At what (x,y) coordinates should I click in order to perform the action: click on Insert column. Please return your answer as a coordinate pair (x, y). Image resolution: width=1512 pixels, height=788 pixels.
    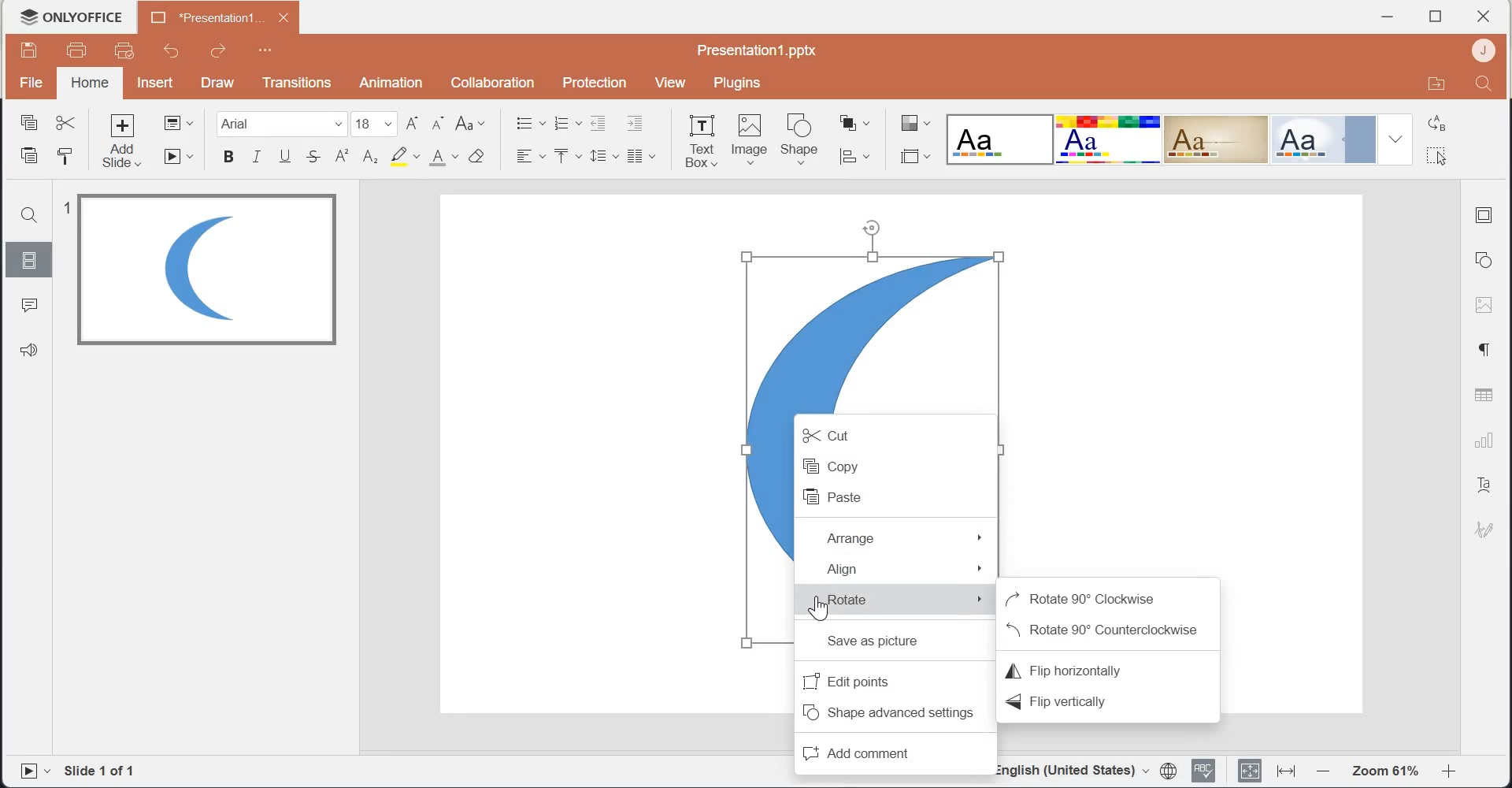
    Looking at the image, I should click on (643, 157).